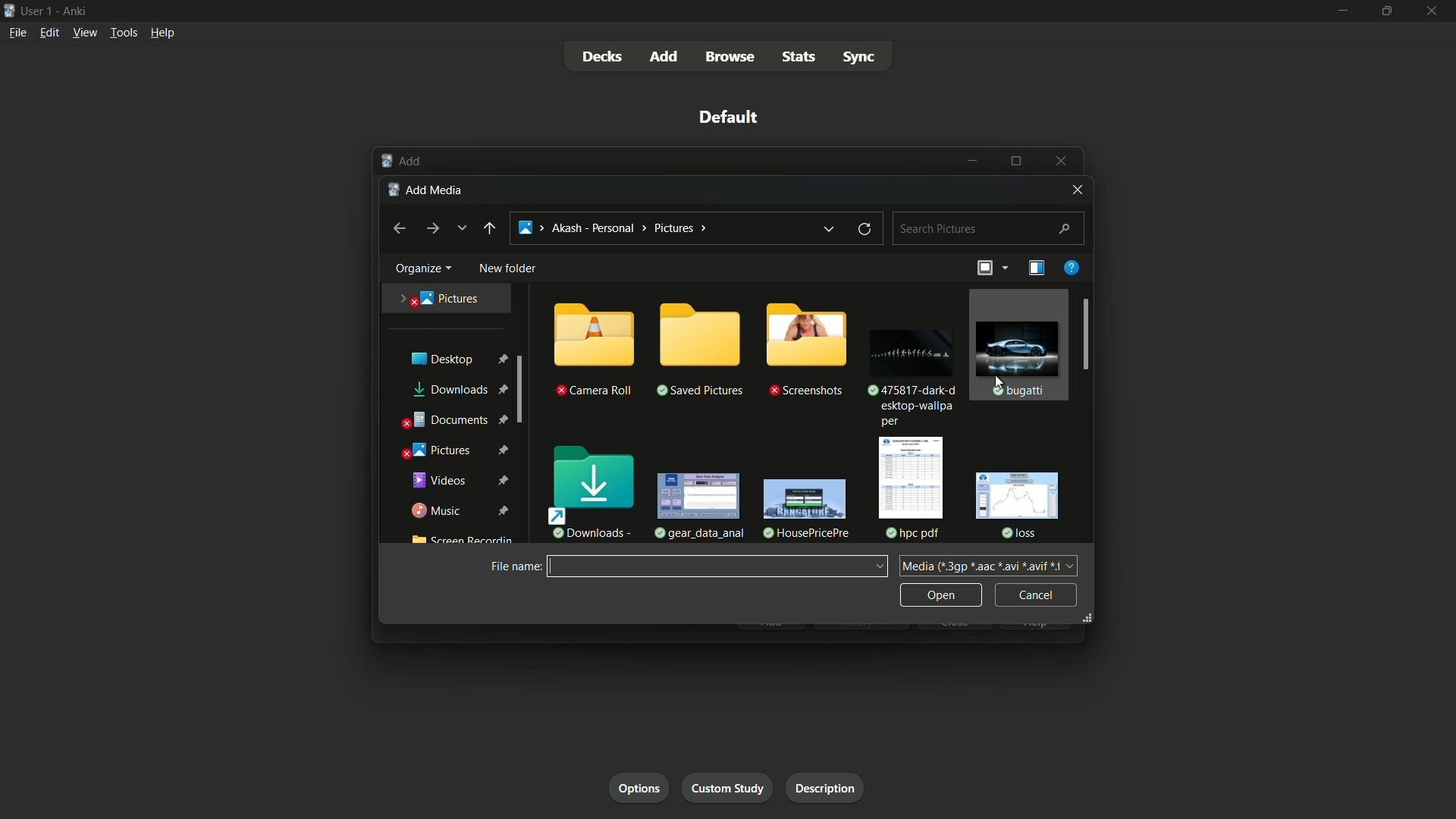 This screenshot has width=1456, height=819. Describe the element at coordinates (1004, 383) in the screenshot. I see `cursor` at that location.